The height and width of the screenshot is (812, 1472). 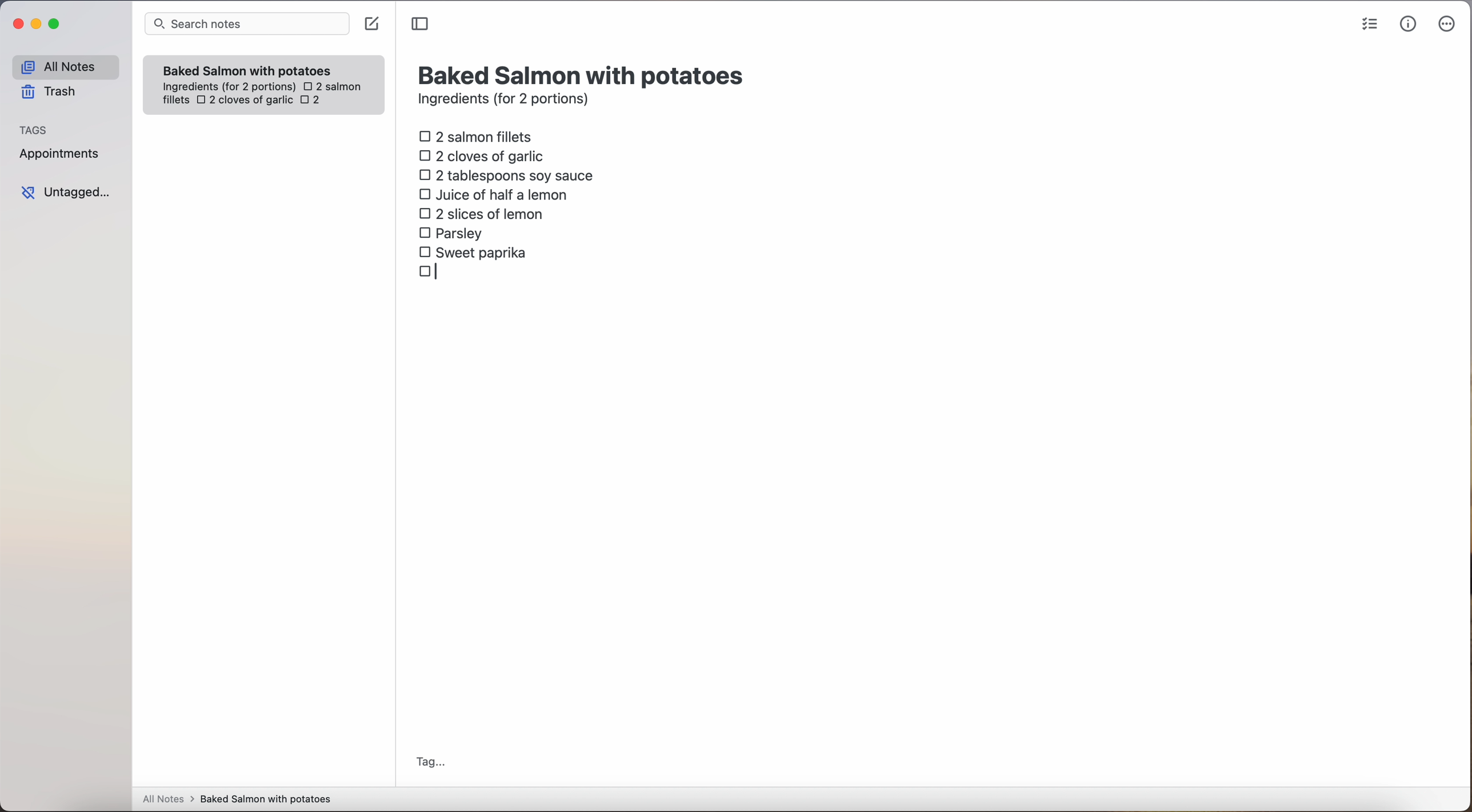 I want to click on sweet paprika, so click(x=475, y=253).